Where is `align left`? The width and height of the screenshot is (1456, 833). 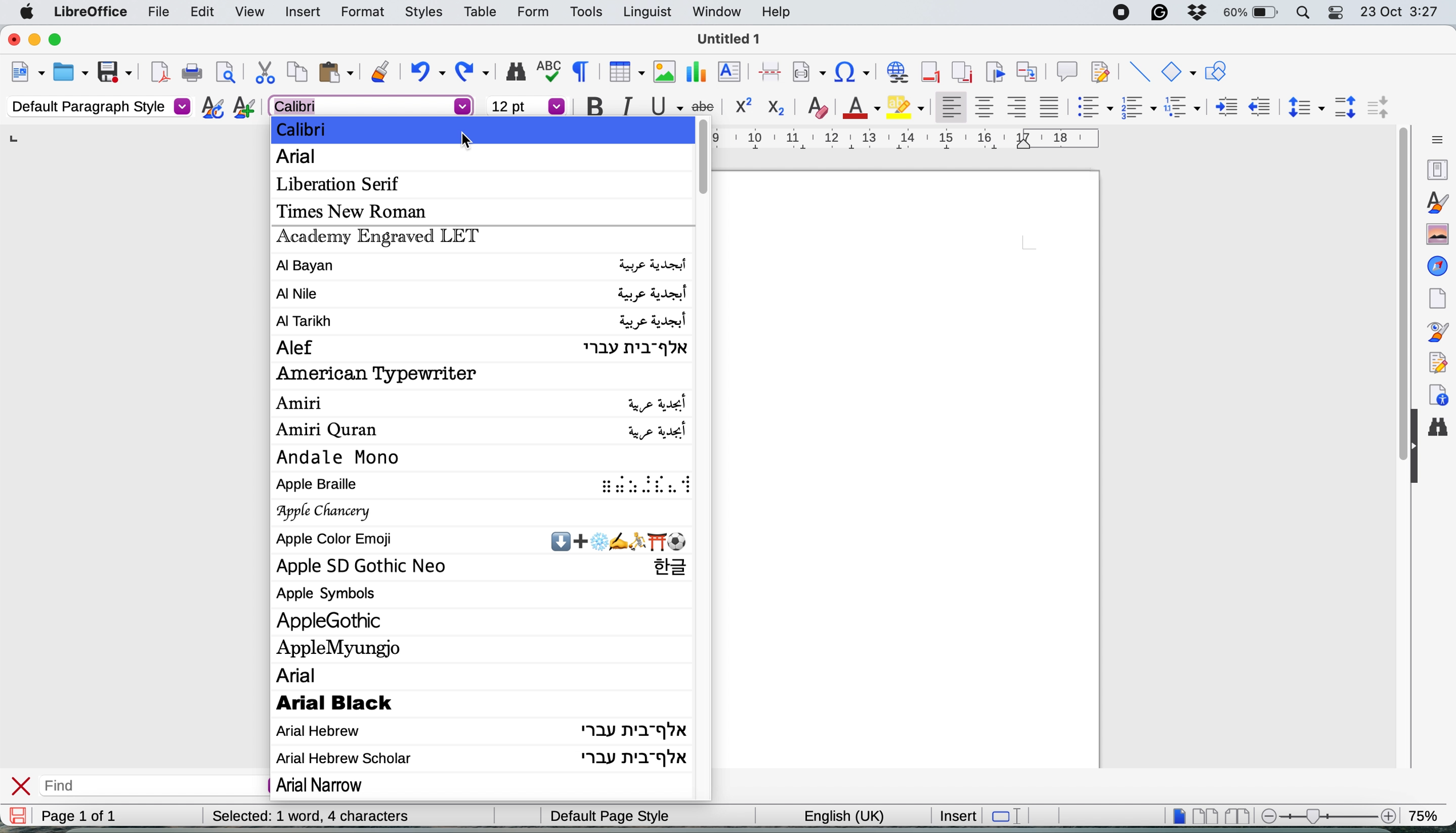
align left is located at coordinates (948, 108).